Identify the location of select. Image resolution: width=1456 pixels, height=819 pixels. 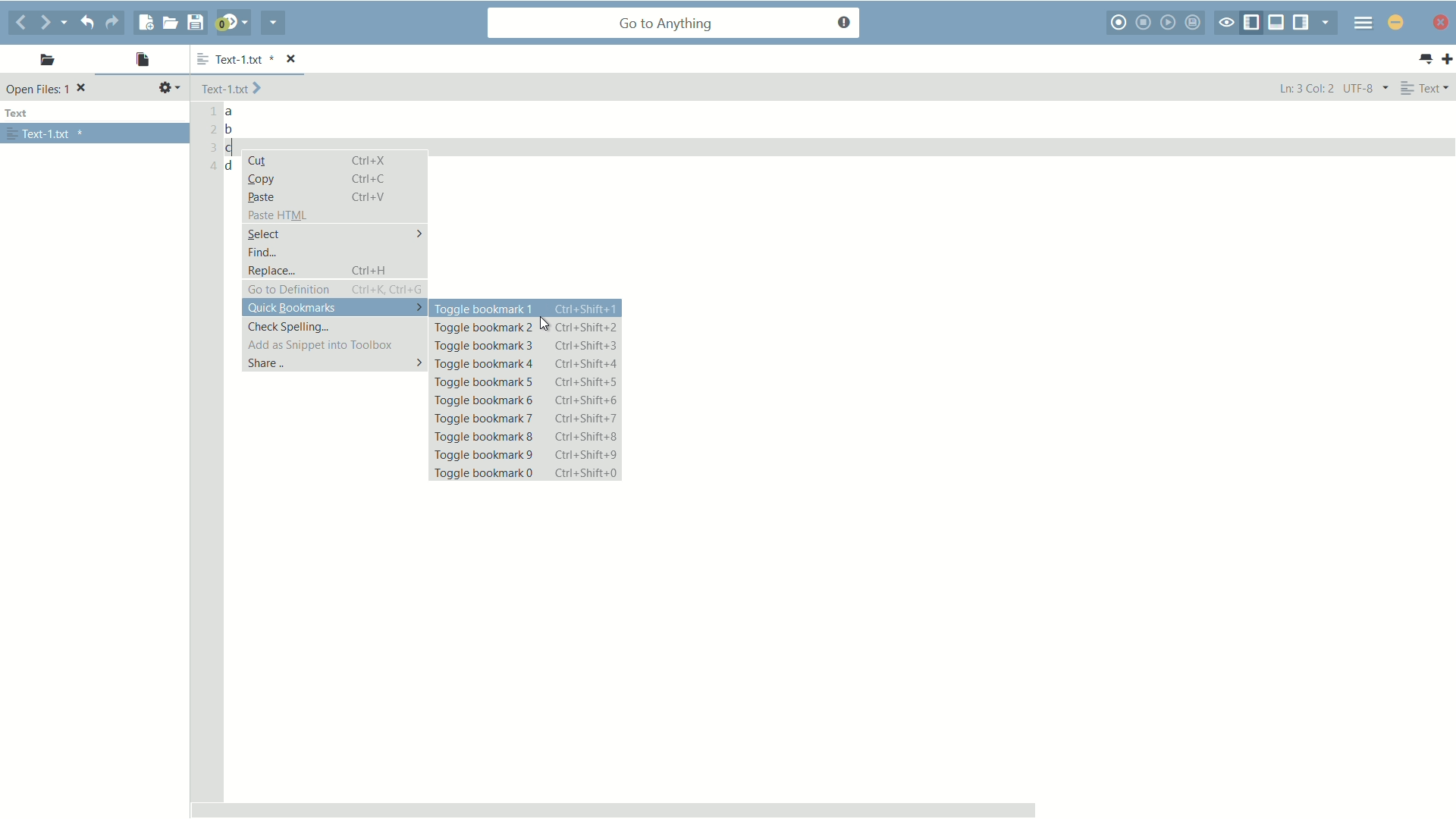
(334, 233).